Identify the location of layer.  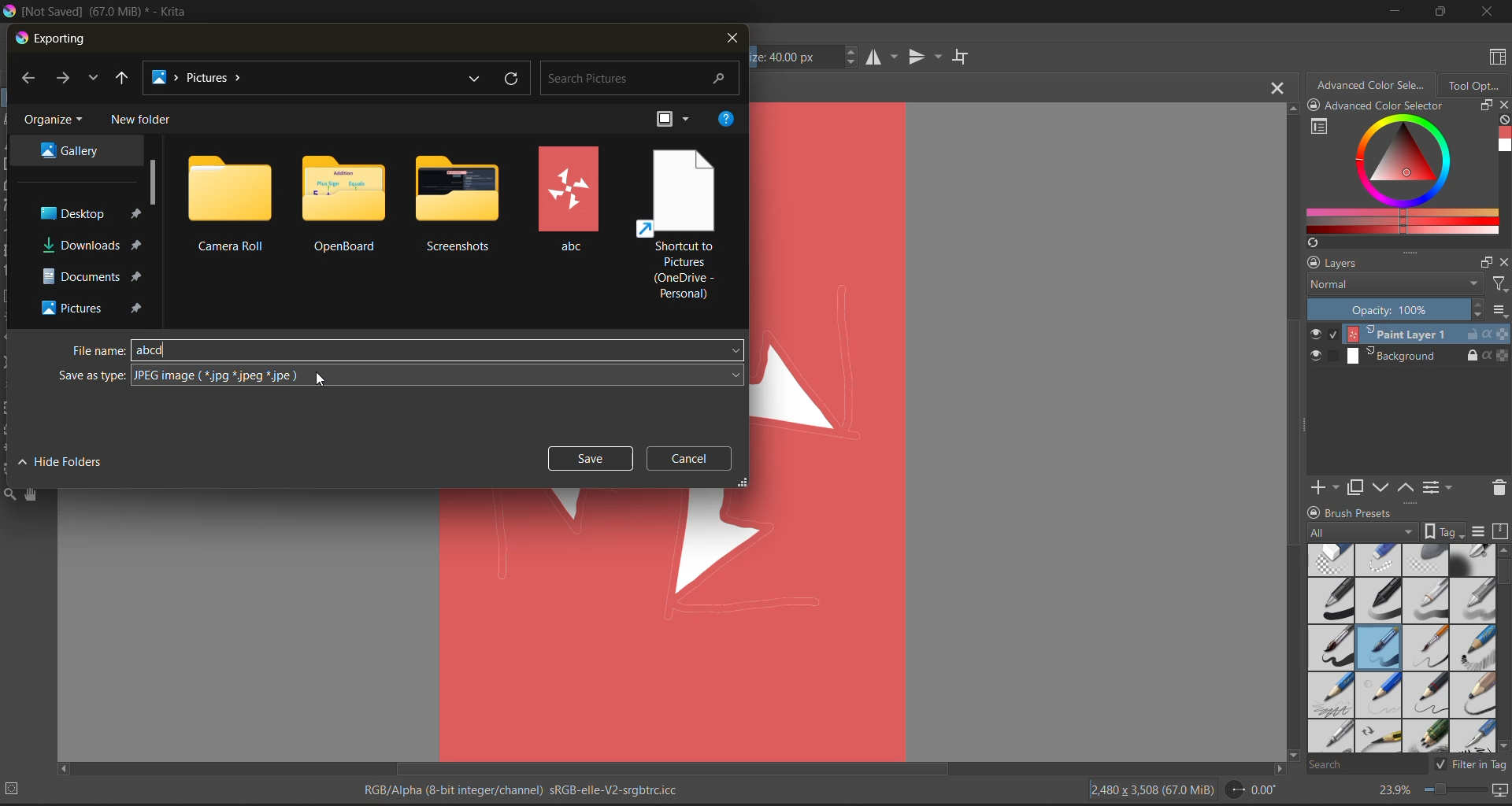
(1407, 355).